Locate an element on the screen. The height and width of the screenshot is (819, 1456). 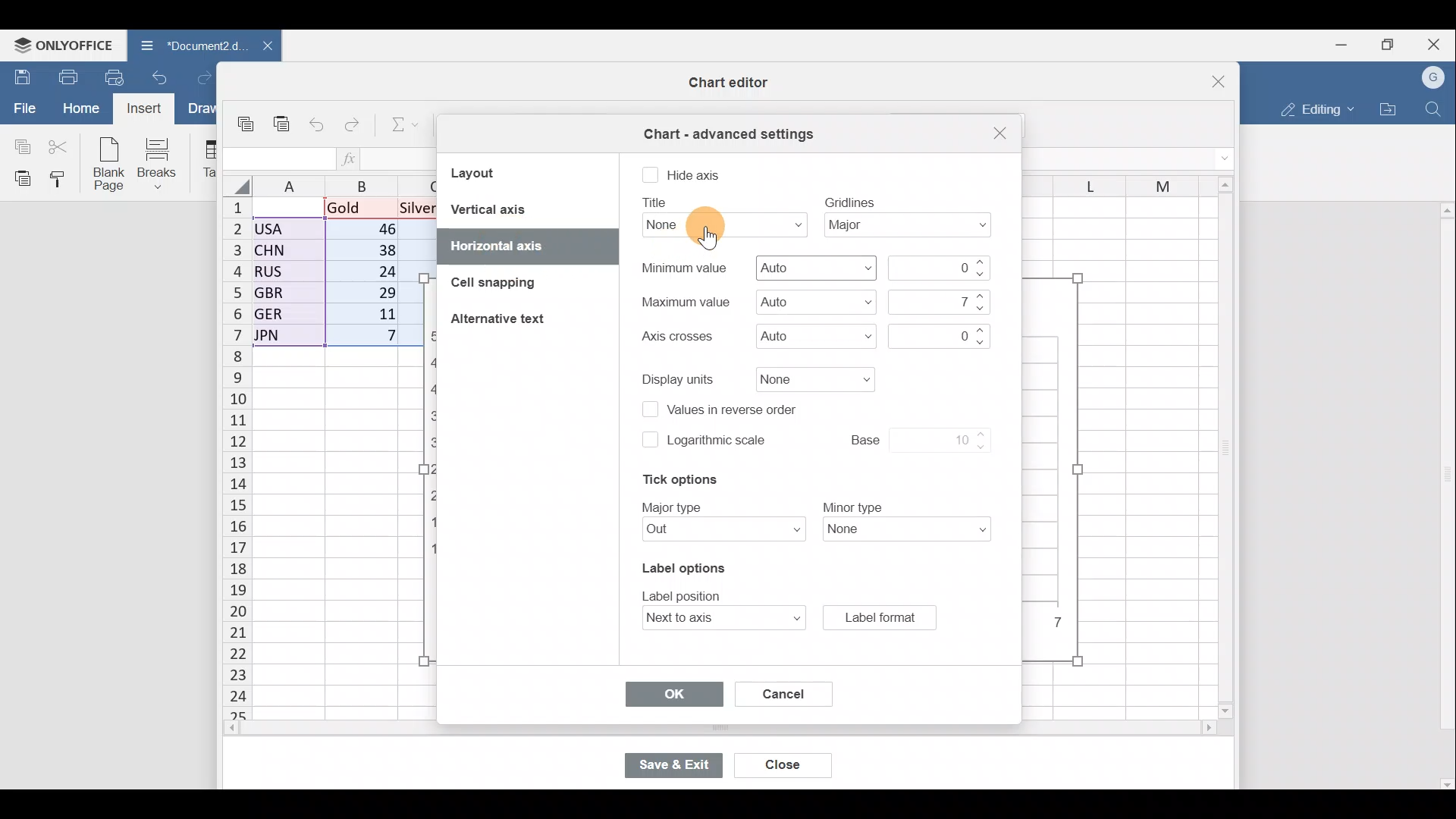
Columns is located at coordinates (337, 184).